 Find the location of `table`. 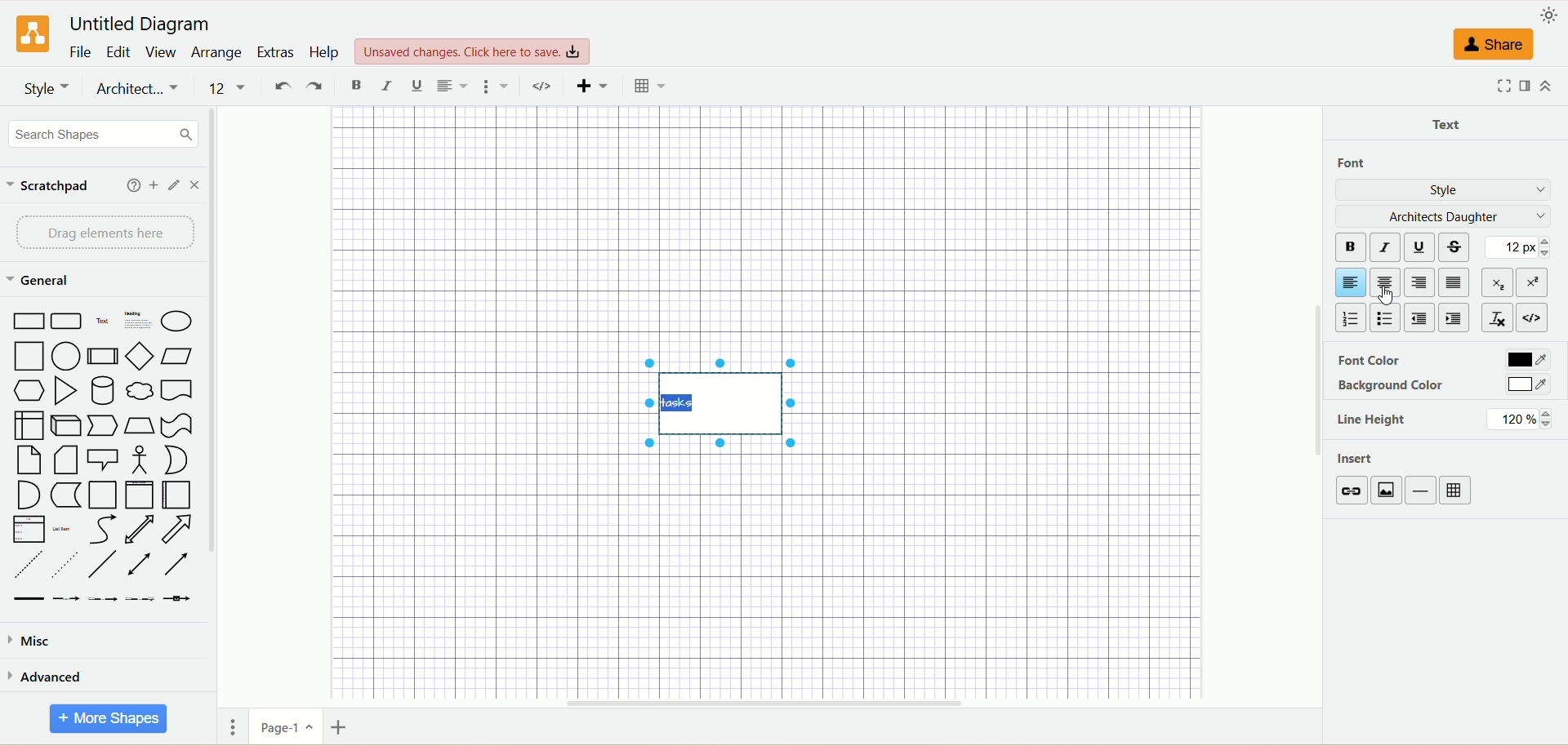

table is located at coordinates (1456, 491).